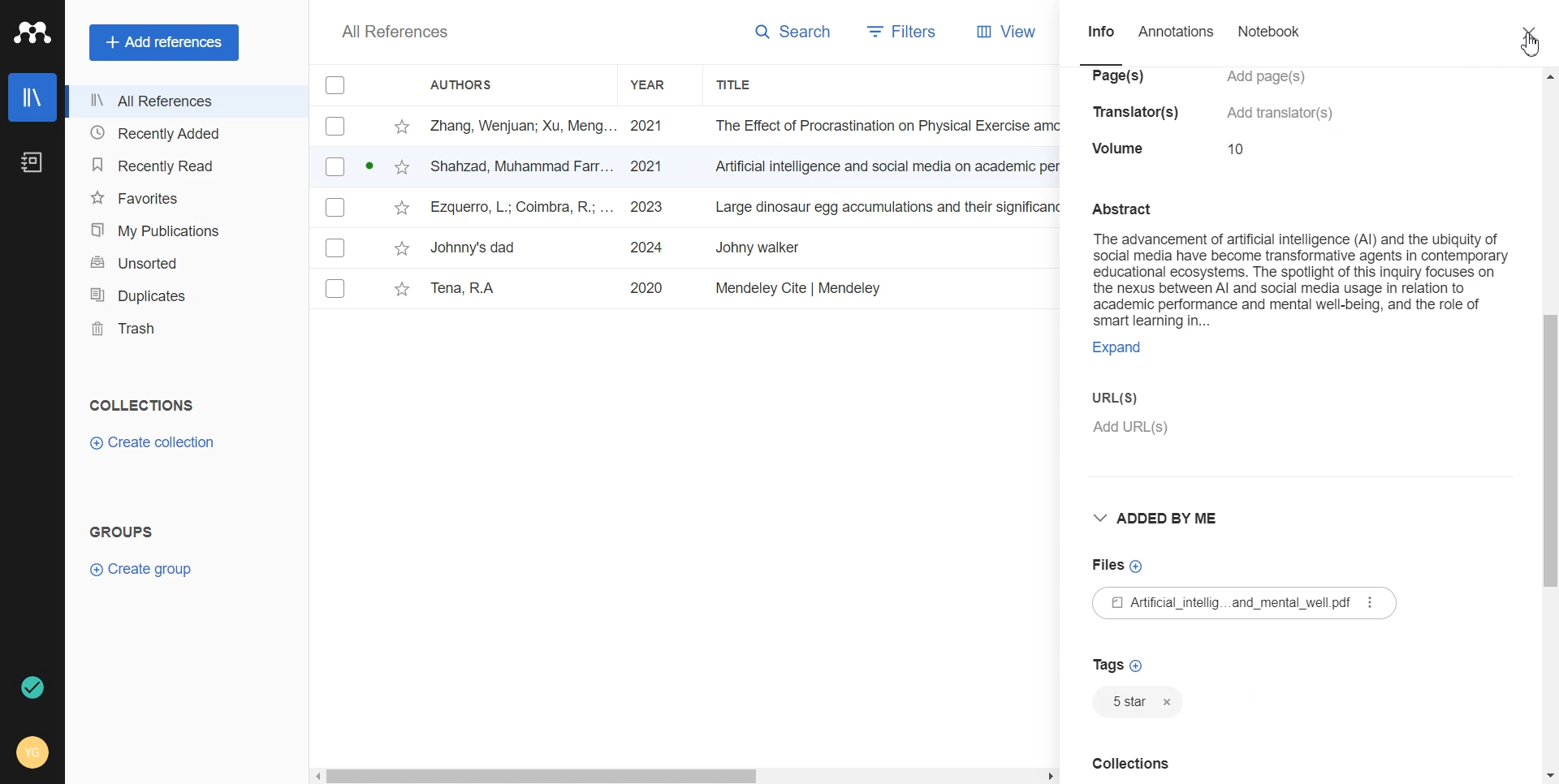  What do you see at coordinates (184, 134) in the screenshot?
I see `Recently Added` at bounding box center [184, 134].